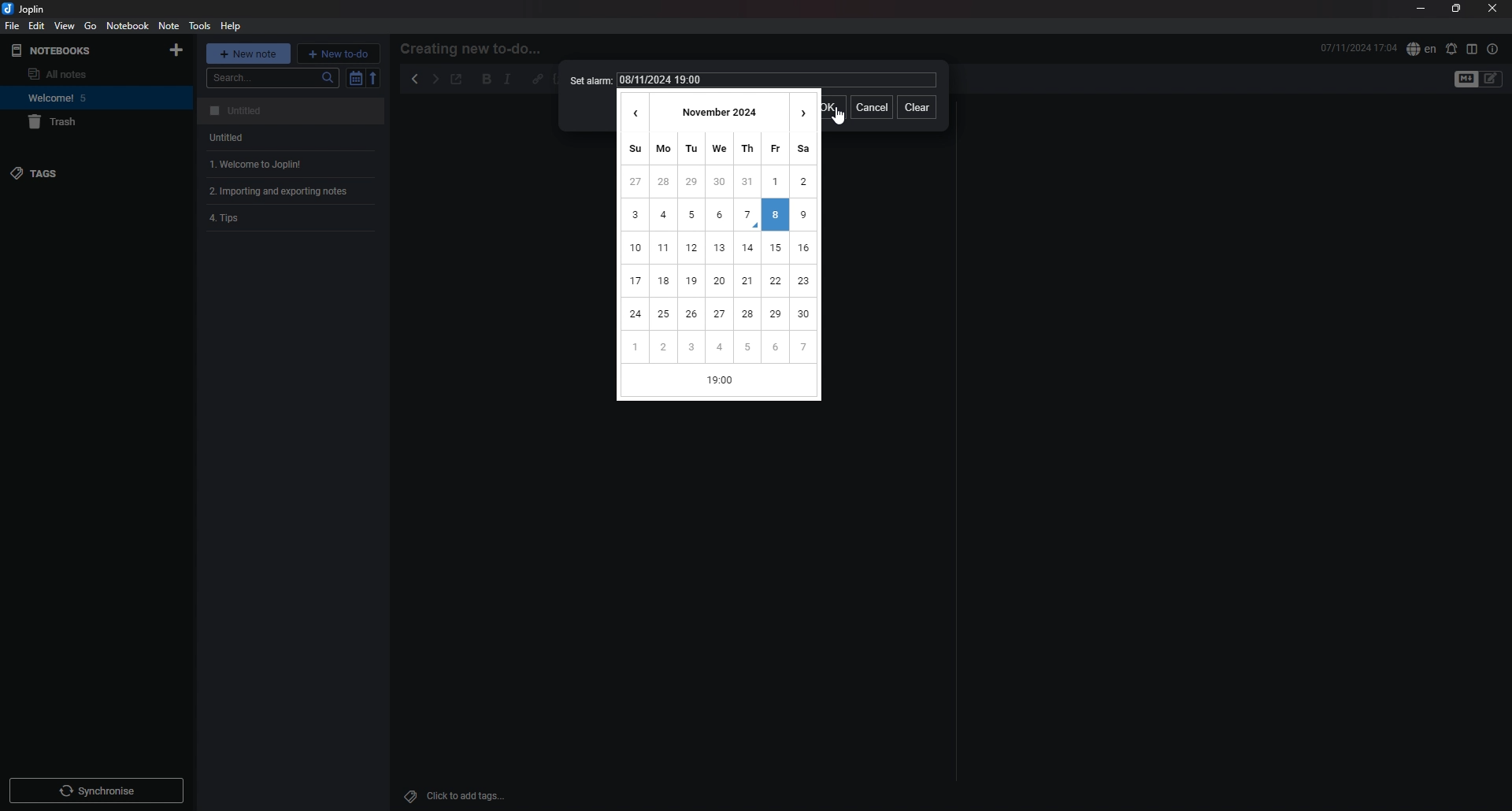 This screenshot has width=1512, height=811. Describe the element at coordinates (339, 54) in the screenshot. I see `new todo` at that location.